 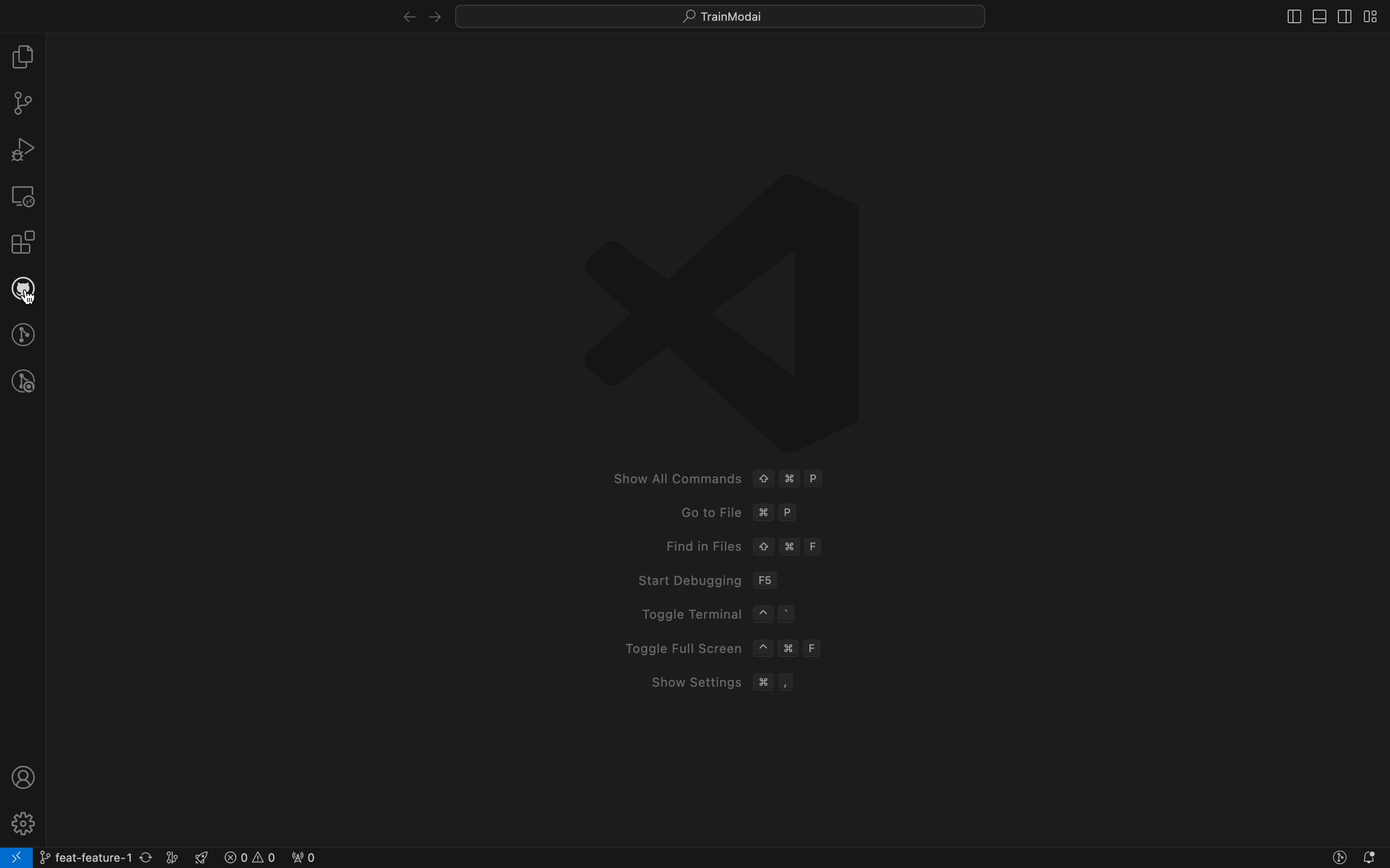 What do you see at coordinates (1371, 16) in the screenshot?
I see `layouts` at bounding box center [1371, 16].